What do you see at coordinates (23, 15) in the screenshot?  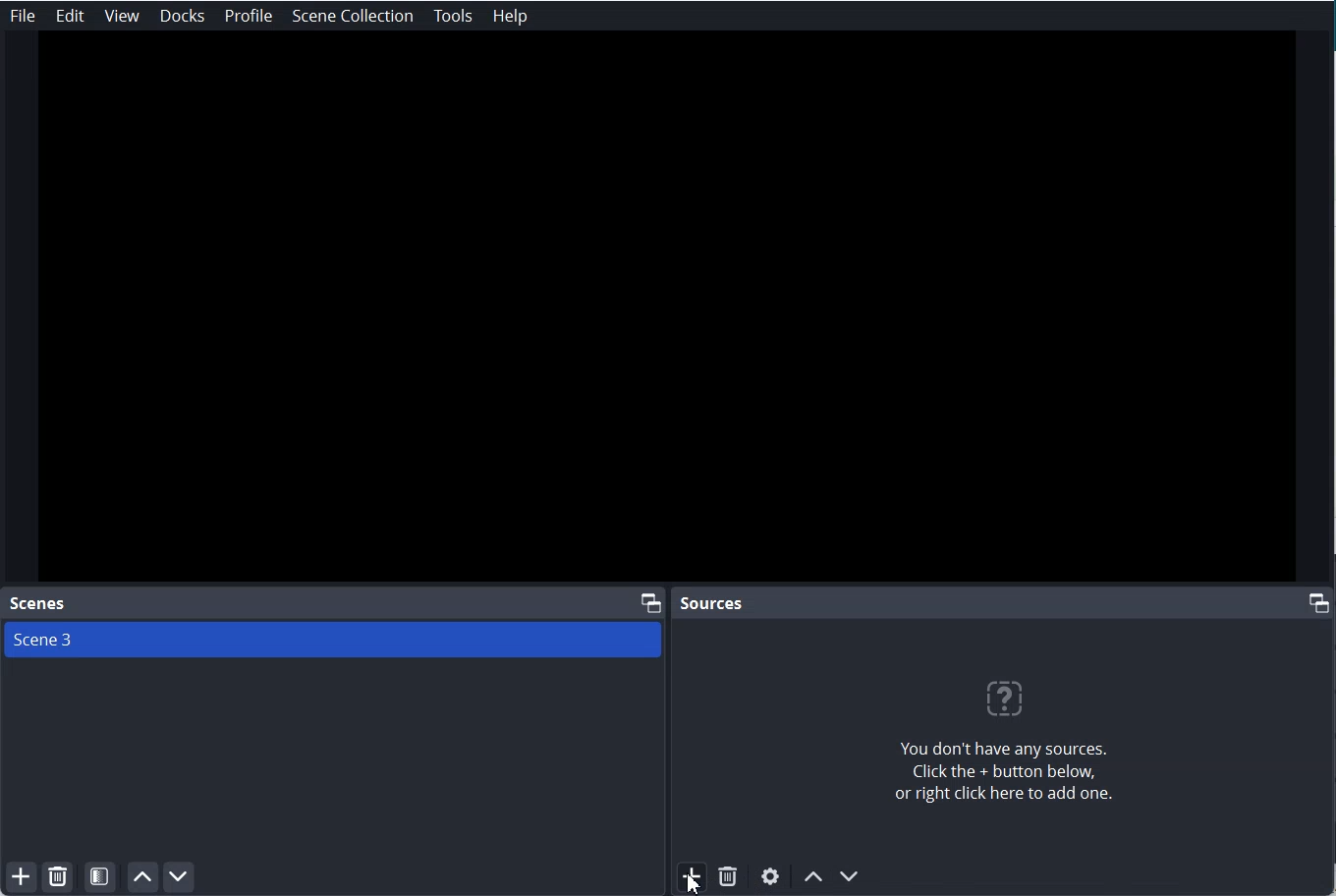 I see `File` at bounding box center [23, 15].